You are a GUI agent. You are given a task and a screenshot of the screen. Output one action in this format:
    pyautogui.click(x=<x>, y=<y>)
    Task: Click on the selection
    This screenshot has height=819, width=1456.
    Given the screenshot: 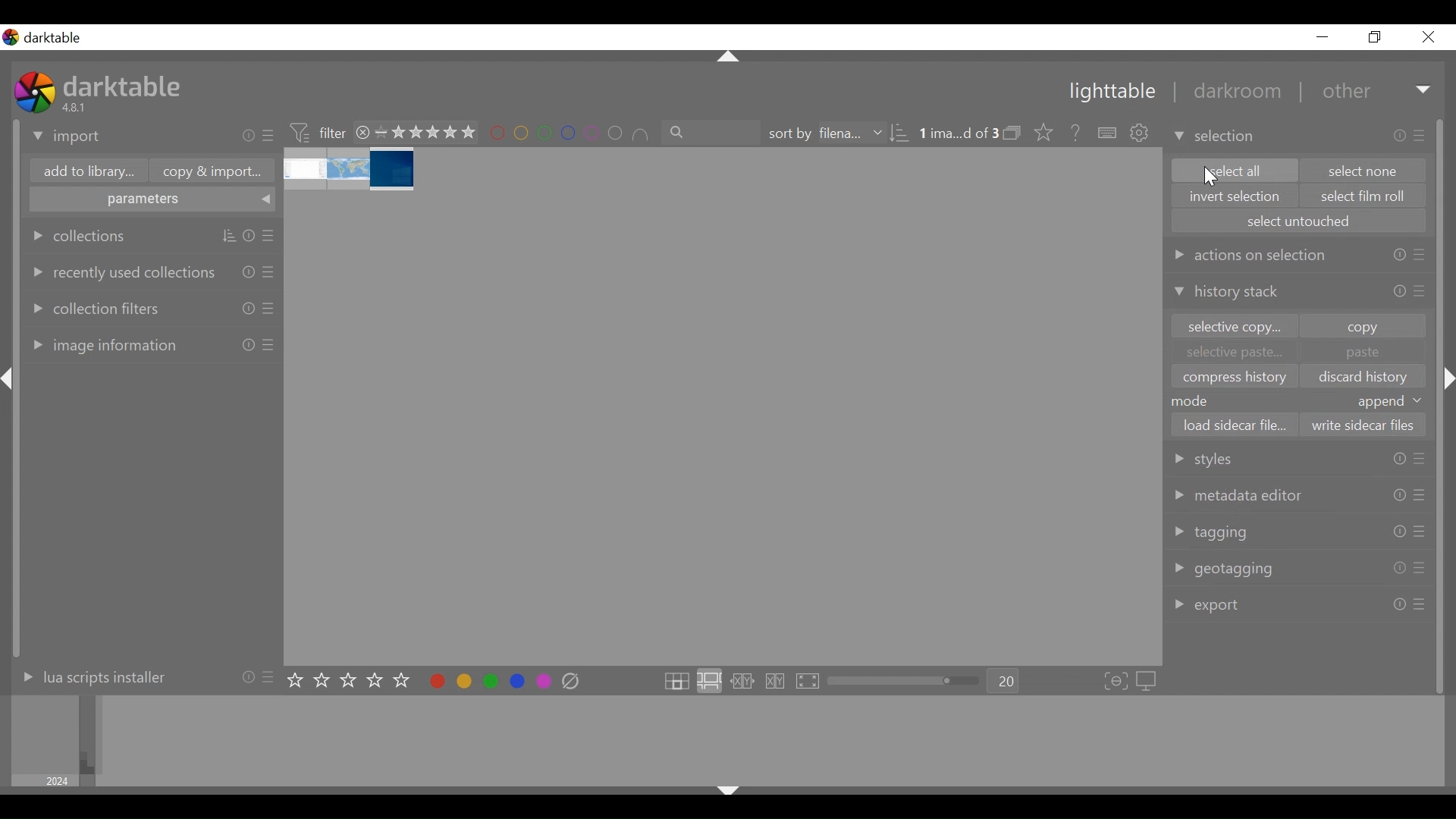 What is the action you would take?
    pyautogui.click(x=1216, y=136)
    